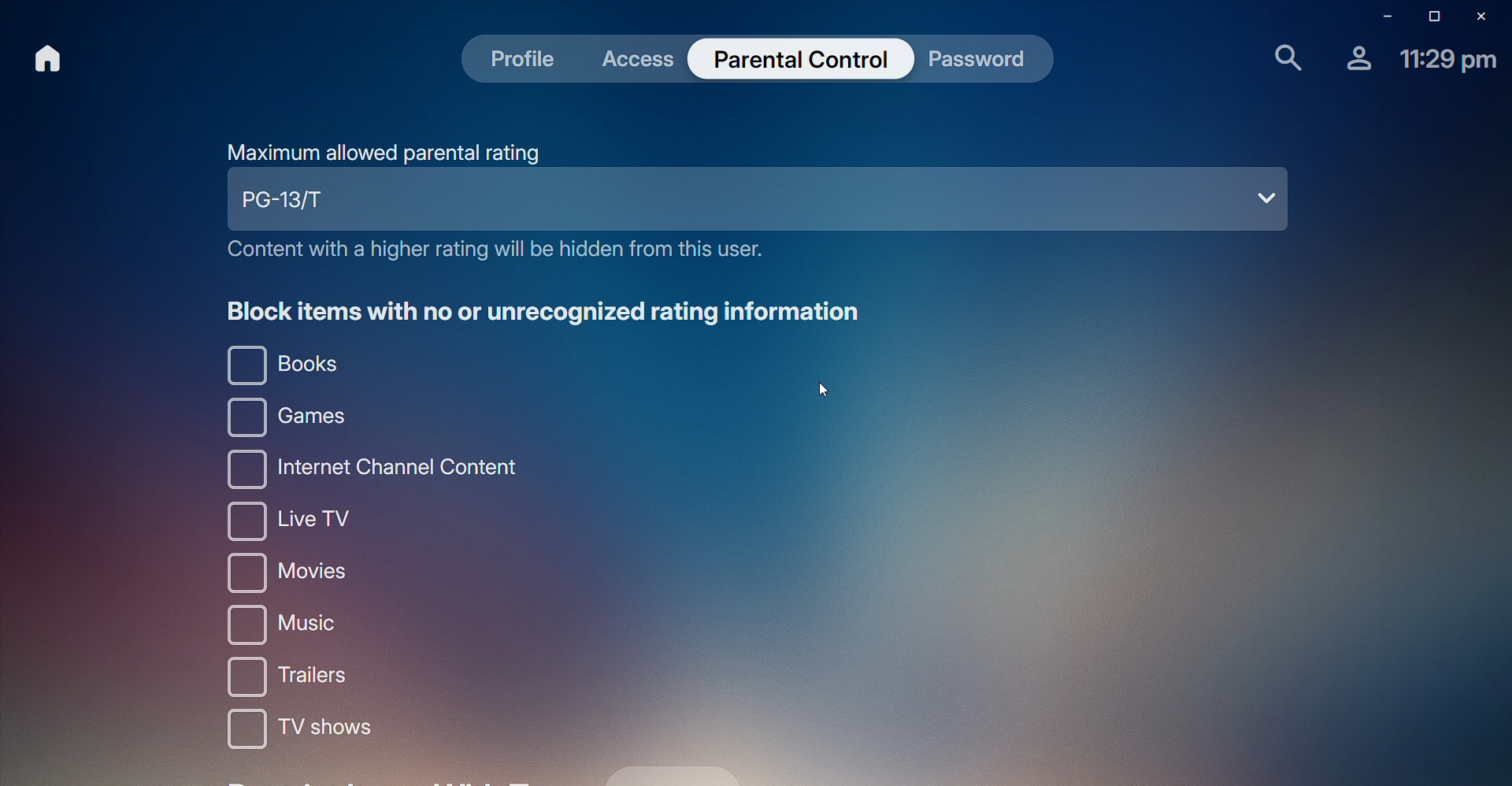  Describe the element at coordinates (1380, 15) in the screenshot. I see `Minimize` at that location.